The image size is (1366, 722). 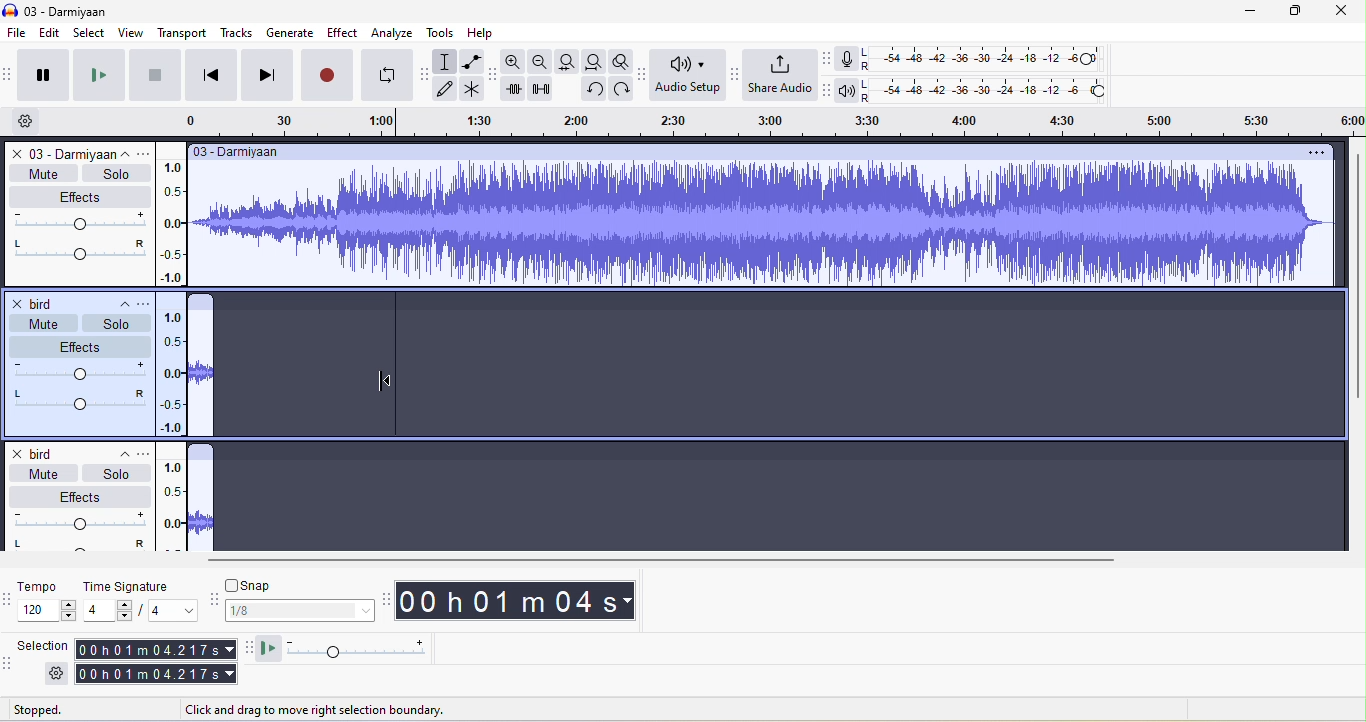 What do you see at coordinates (78, 521) in the screenshot?
I see `volume` at bounding box center [78, 521].